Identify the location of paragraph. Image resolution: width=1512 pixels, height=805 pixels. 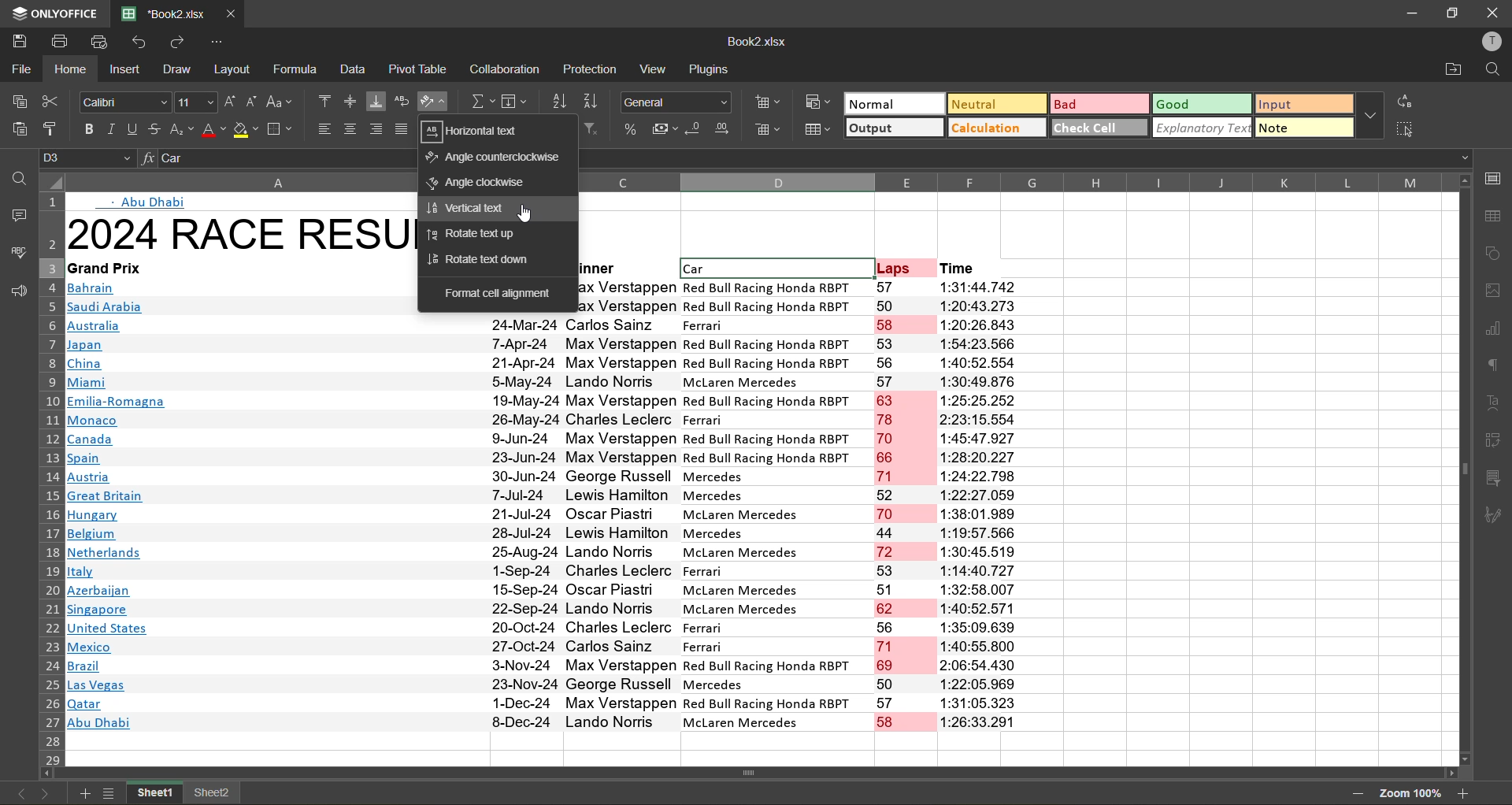
(1494, 368).